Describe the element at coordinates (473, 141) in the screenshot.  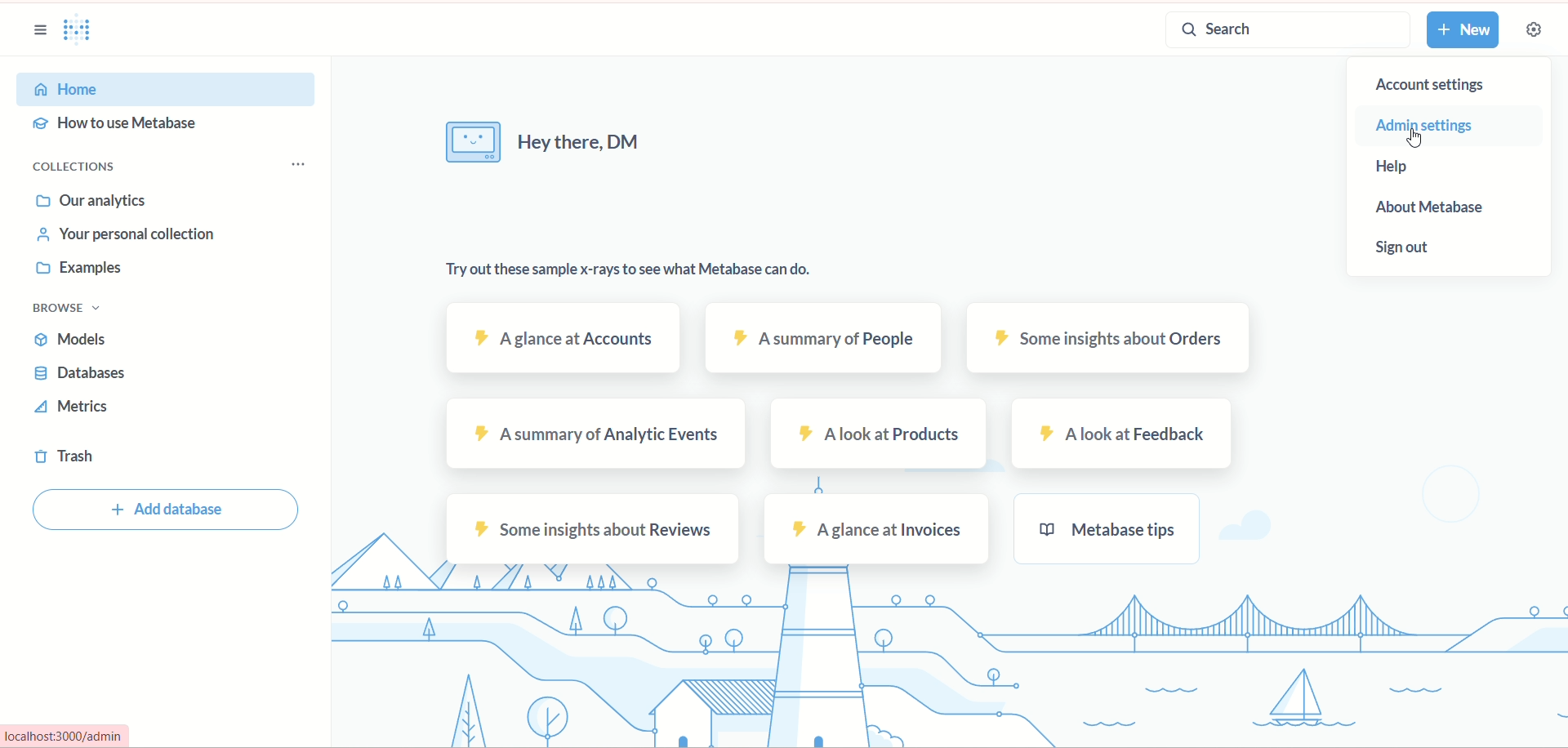
I see `image` at that location.